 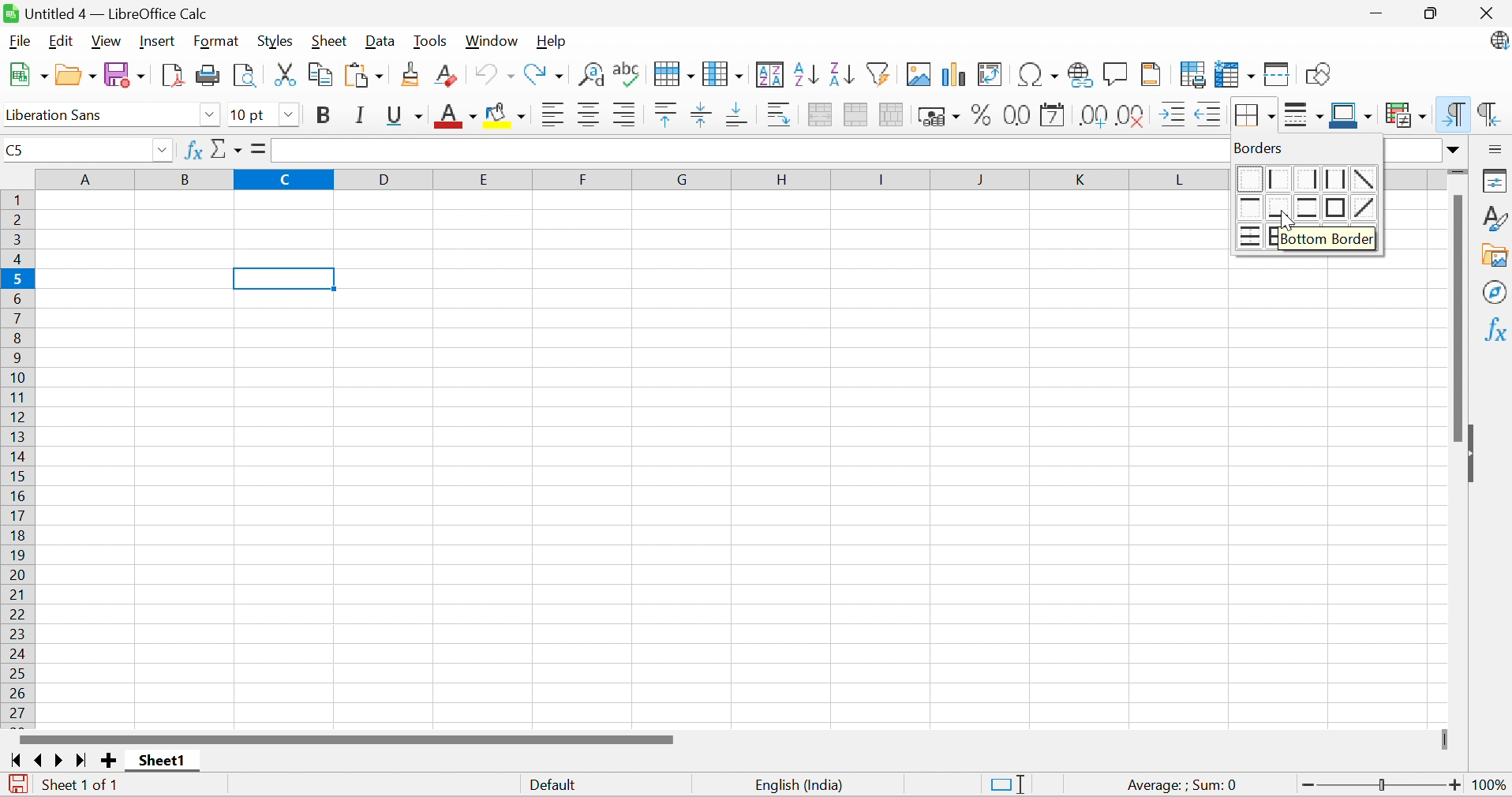 I want to click on Bold, so click(x=322, y=115).